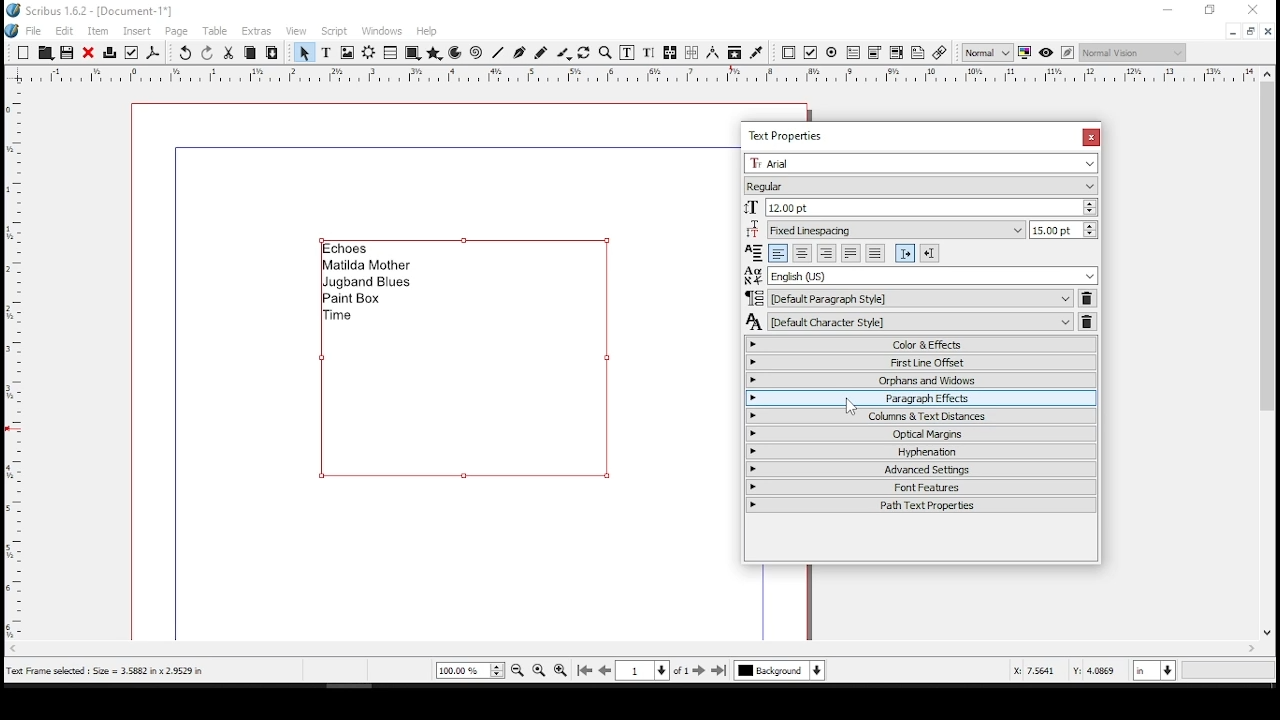  I want to click on copy, so click(251, 52).